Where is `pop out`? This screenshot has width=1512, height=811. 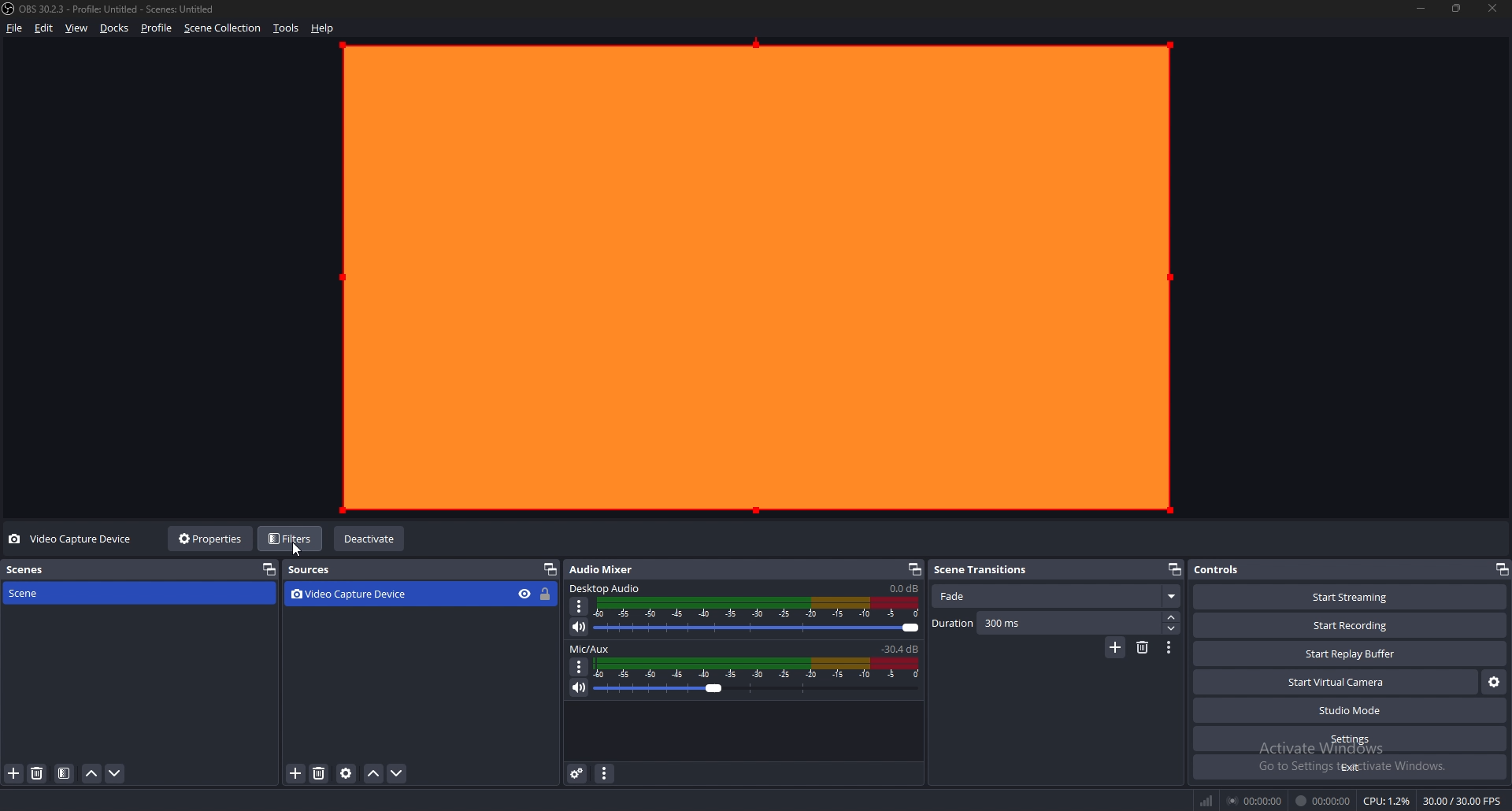 pop out is located at coordinates (914, 569).